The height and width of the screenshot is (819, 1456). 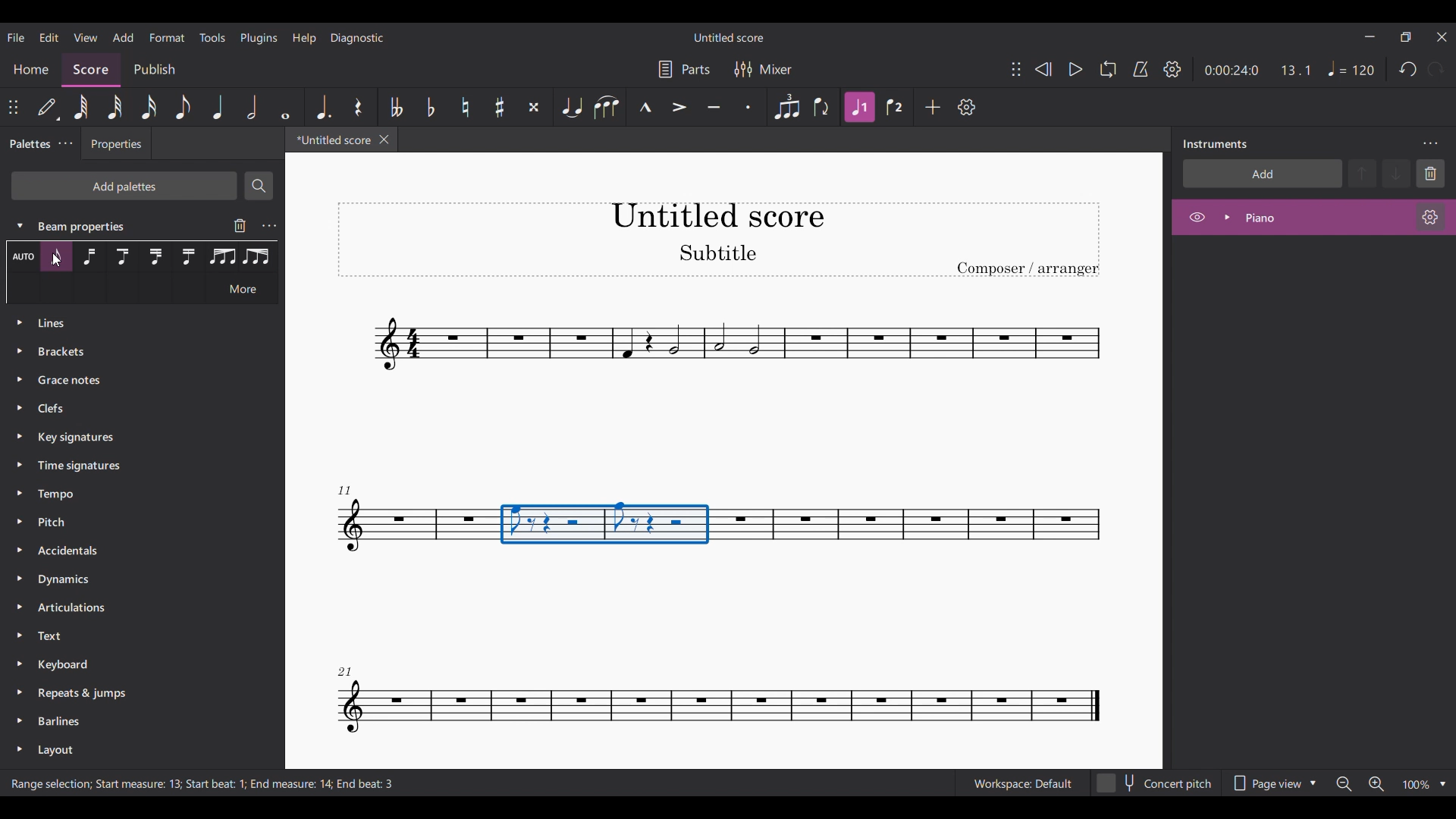 I want to click on Search palette, so click(x=259, y=185).